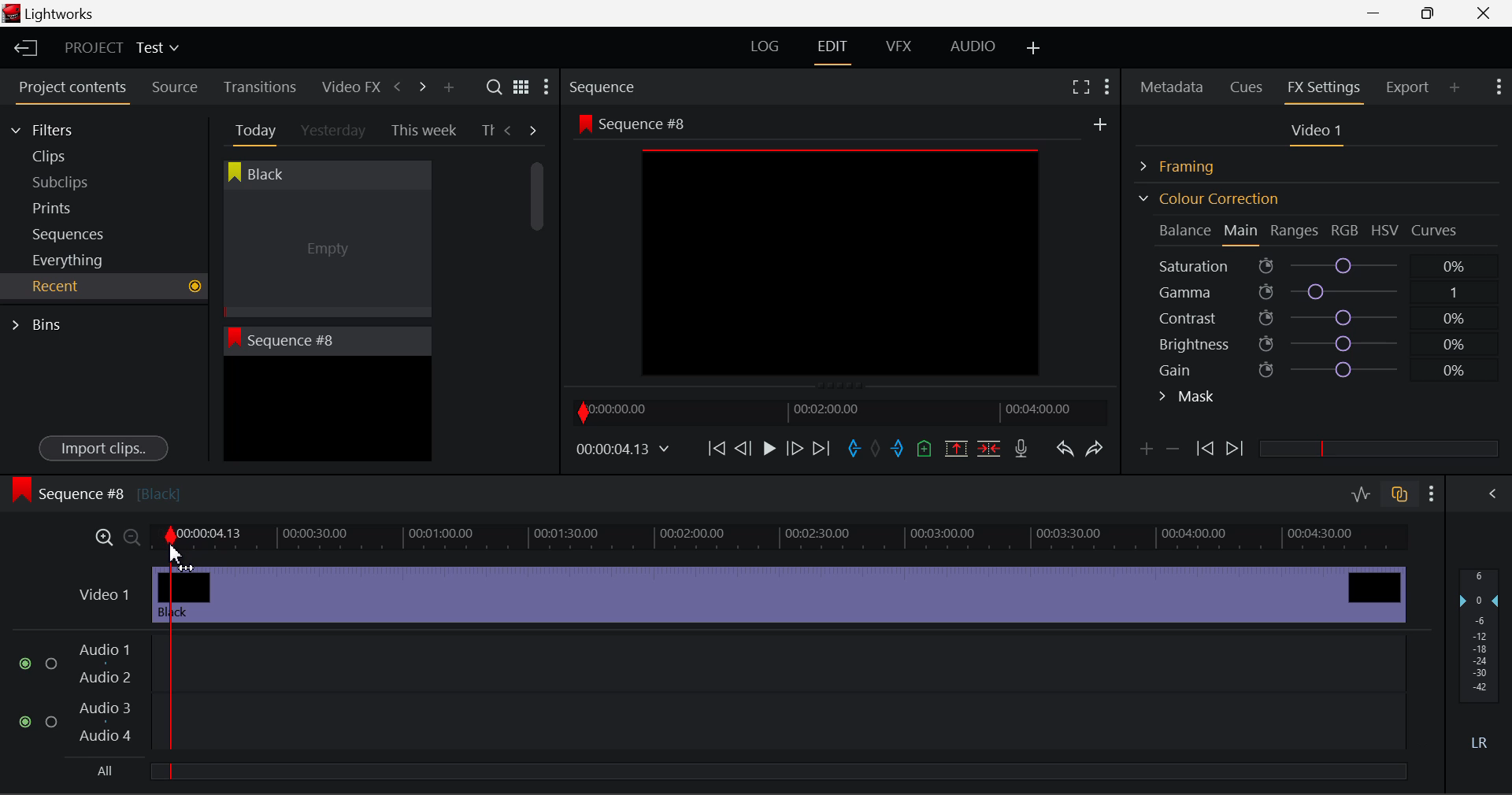 This screenshot has height=795, width=1512. What do you see at coordinates (1034, 49) in the screenshot?
I see `Add Layout` at bounding box center [1034, 49].